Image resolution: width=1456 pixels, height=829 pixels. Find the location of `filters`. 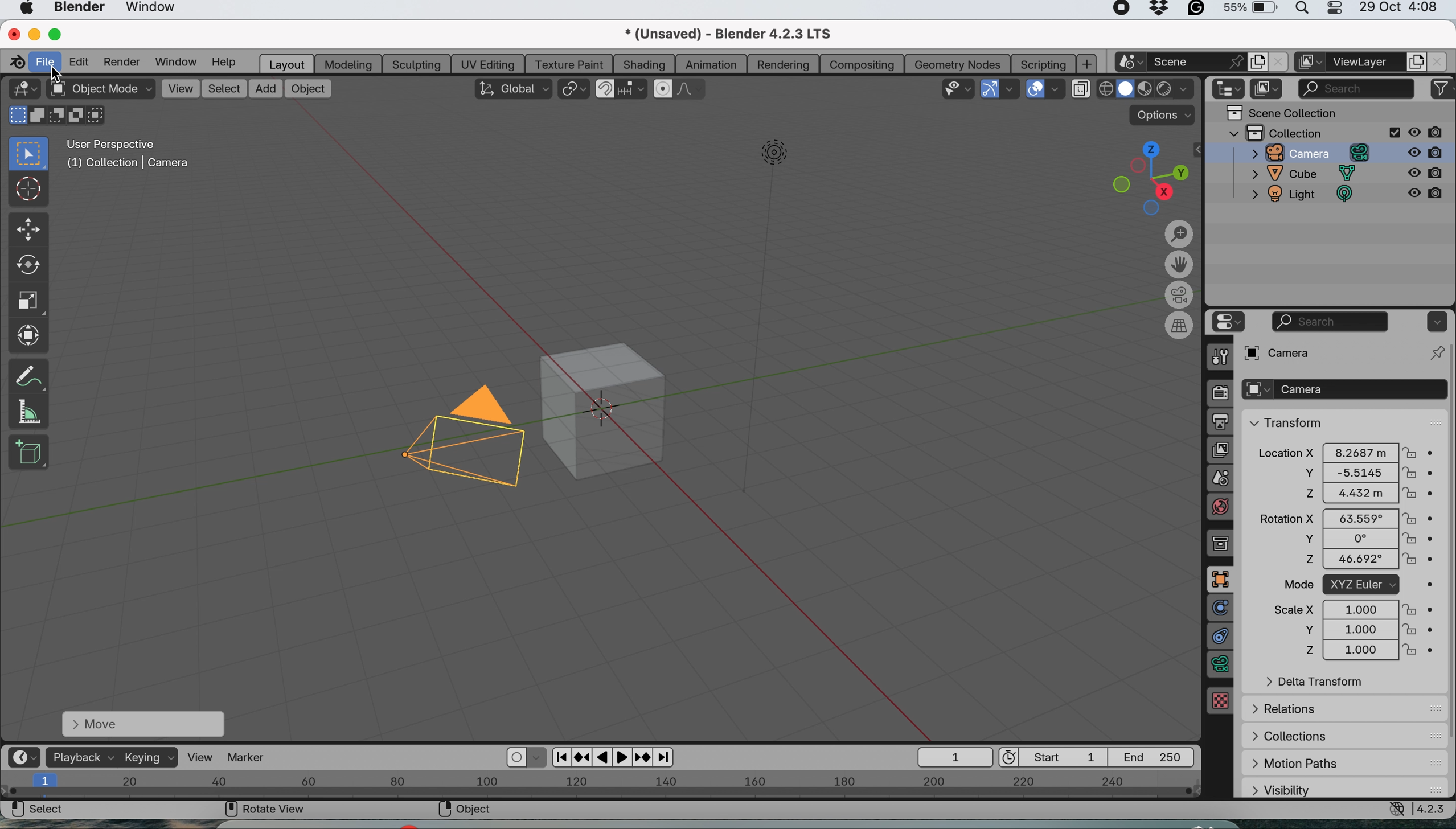

filters is located at coordinates (1442, 89).